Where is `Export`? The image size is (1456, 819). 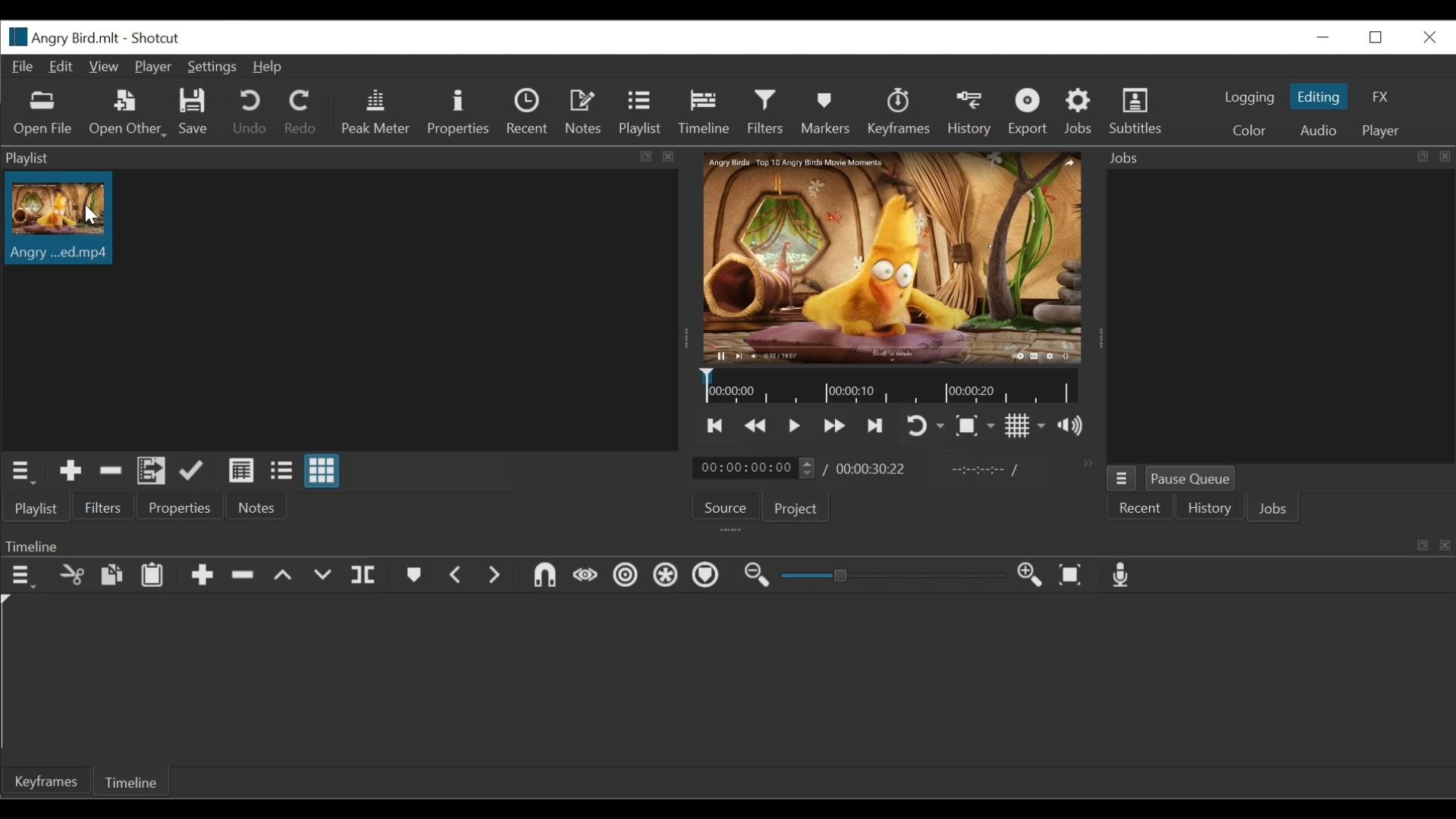 Export is located at coordinates (1027, 111).